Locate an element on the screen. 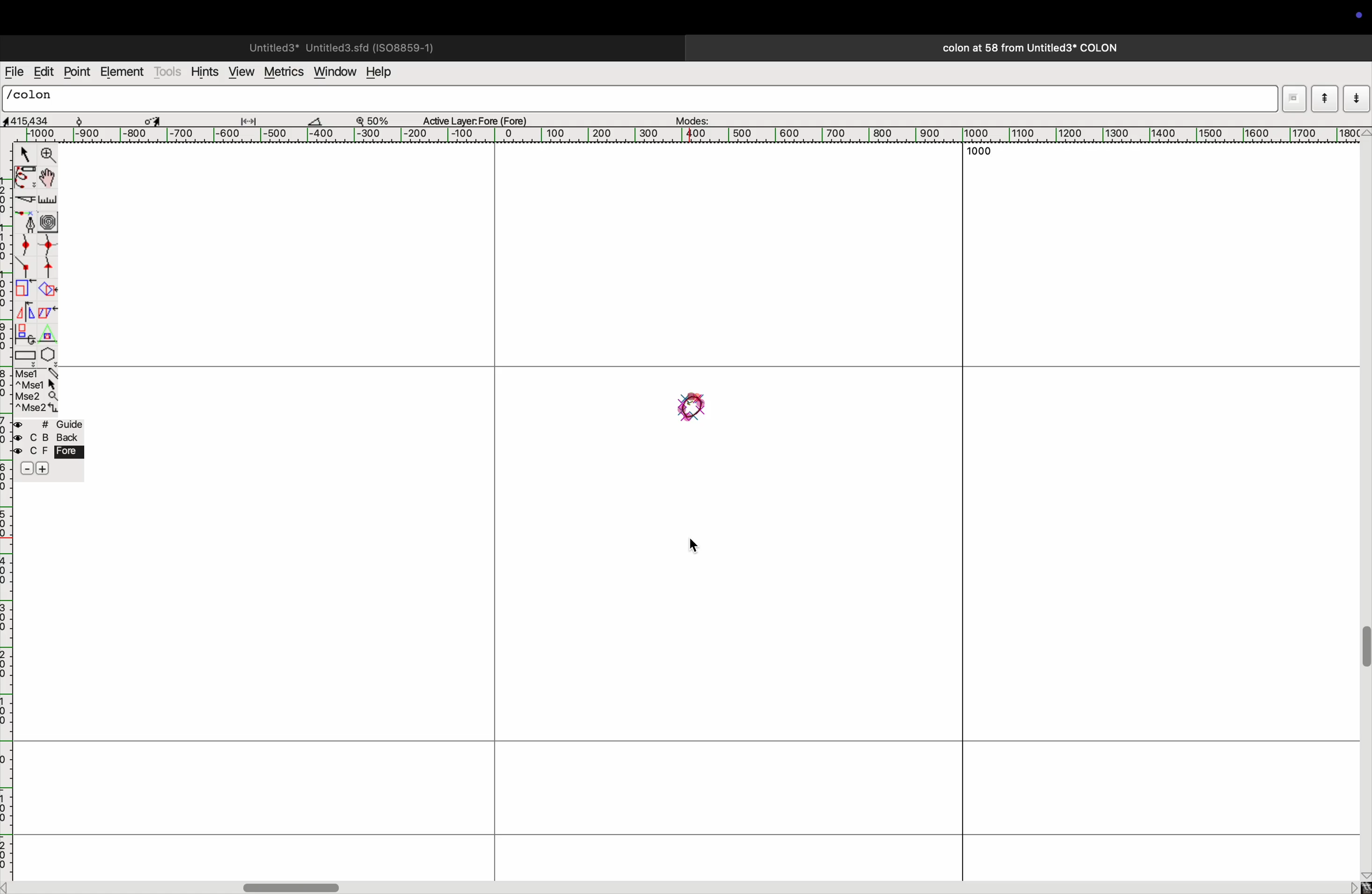 The image size is (1372, 894). toogle is located at coordinates (47, 179).